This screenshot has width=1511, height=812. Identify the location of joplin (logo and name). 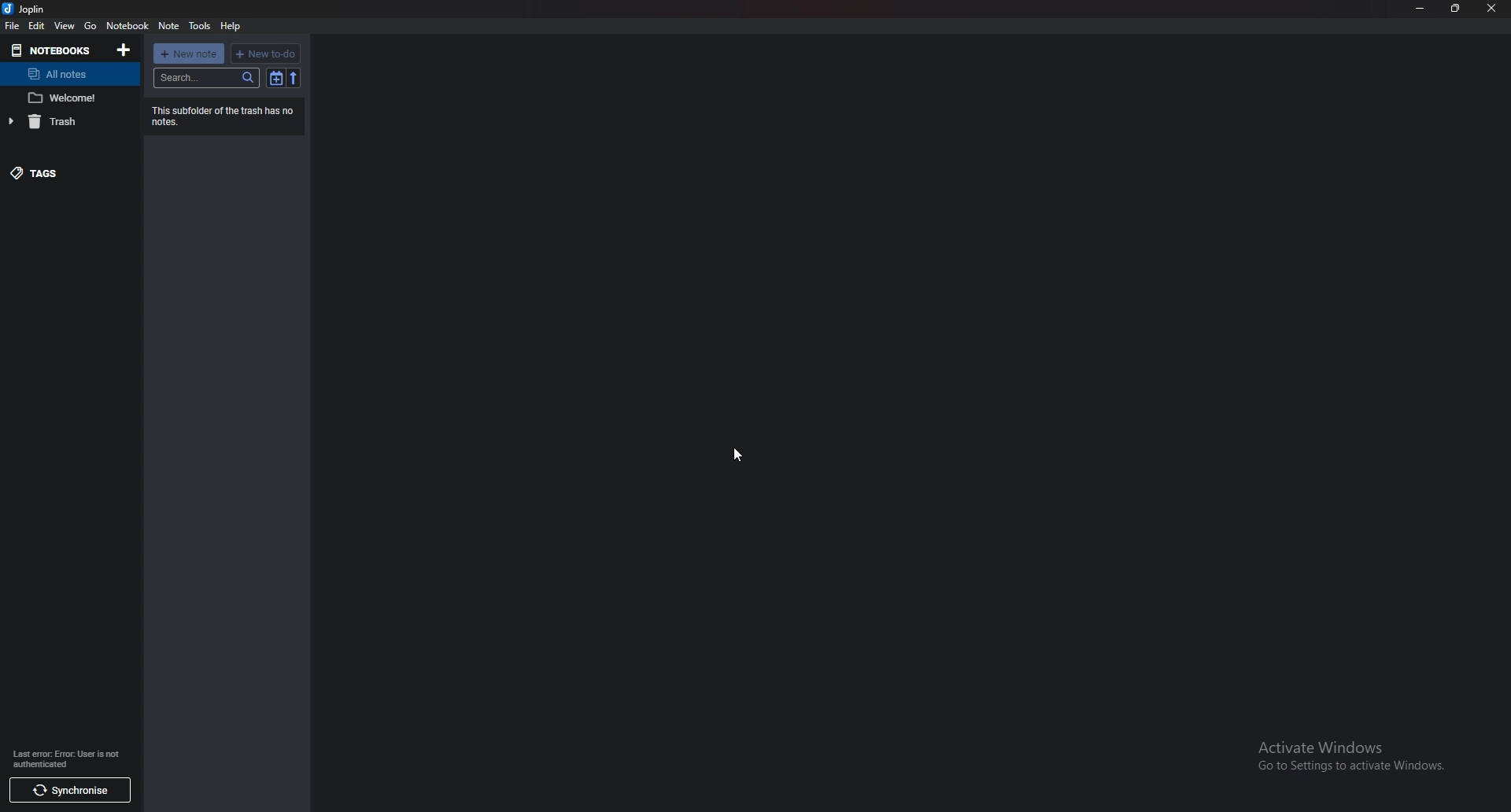
(29, 8).